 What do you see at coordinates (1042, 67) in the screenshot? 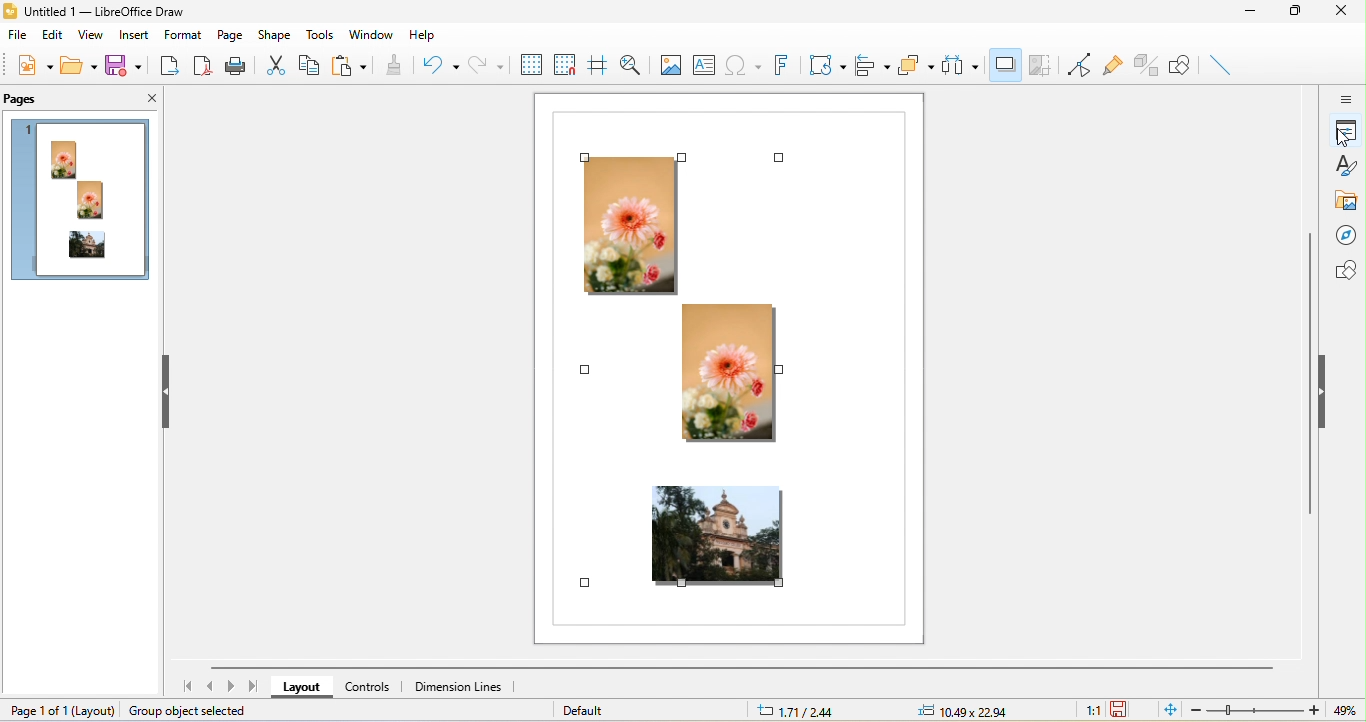
I see `crop image` at bounding box center [1042, 67].